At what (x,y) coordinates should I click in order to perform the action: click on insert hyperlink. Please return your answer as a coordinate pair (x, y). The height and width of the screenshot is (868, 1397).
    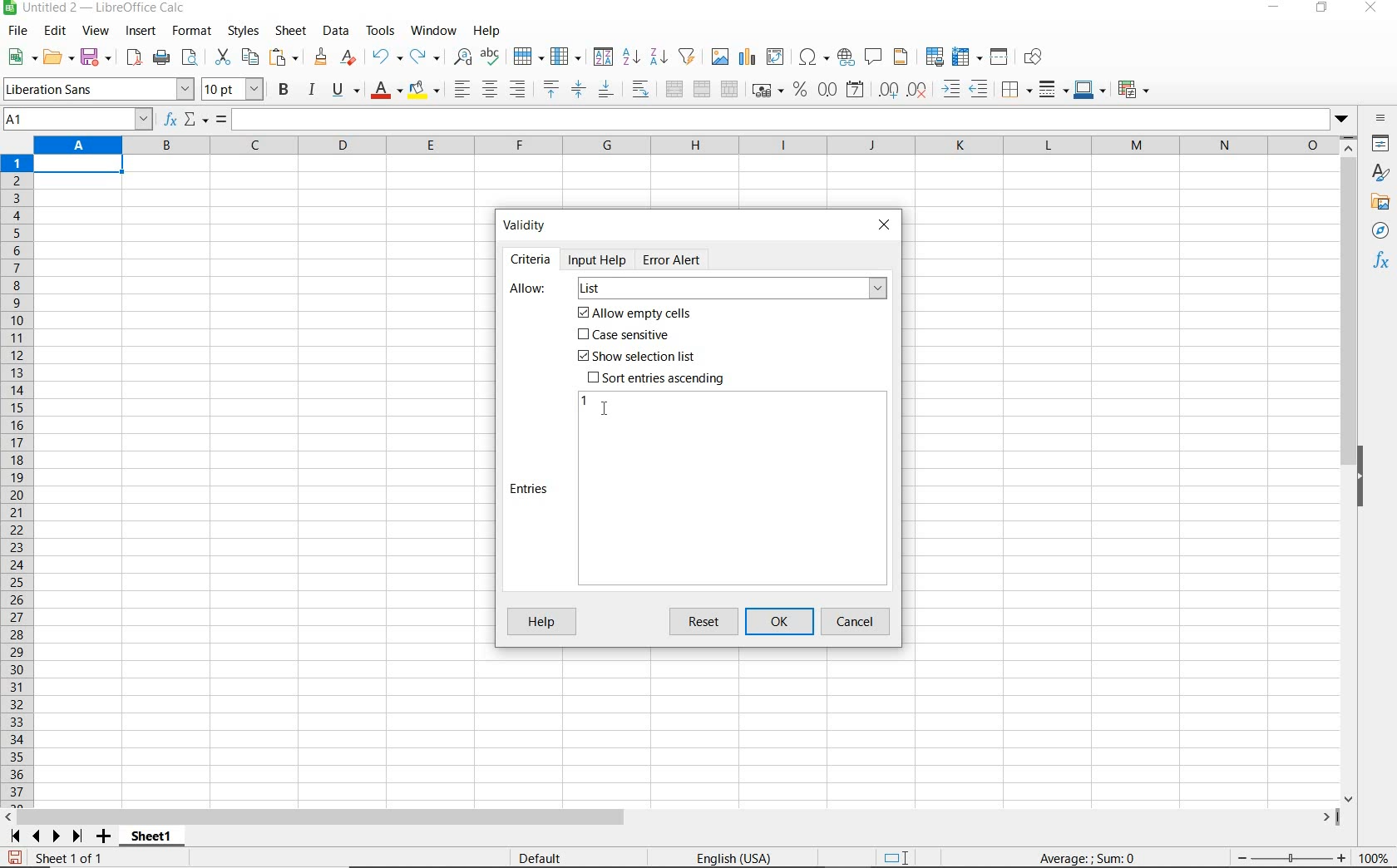
    Looking at the image, I should click on (846, 56).